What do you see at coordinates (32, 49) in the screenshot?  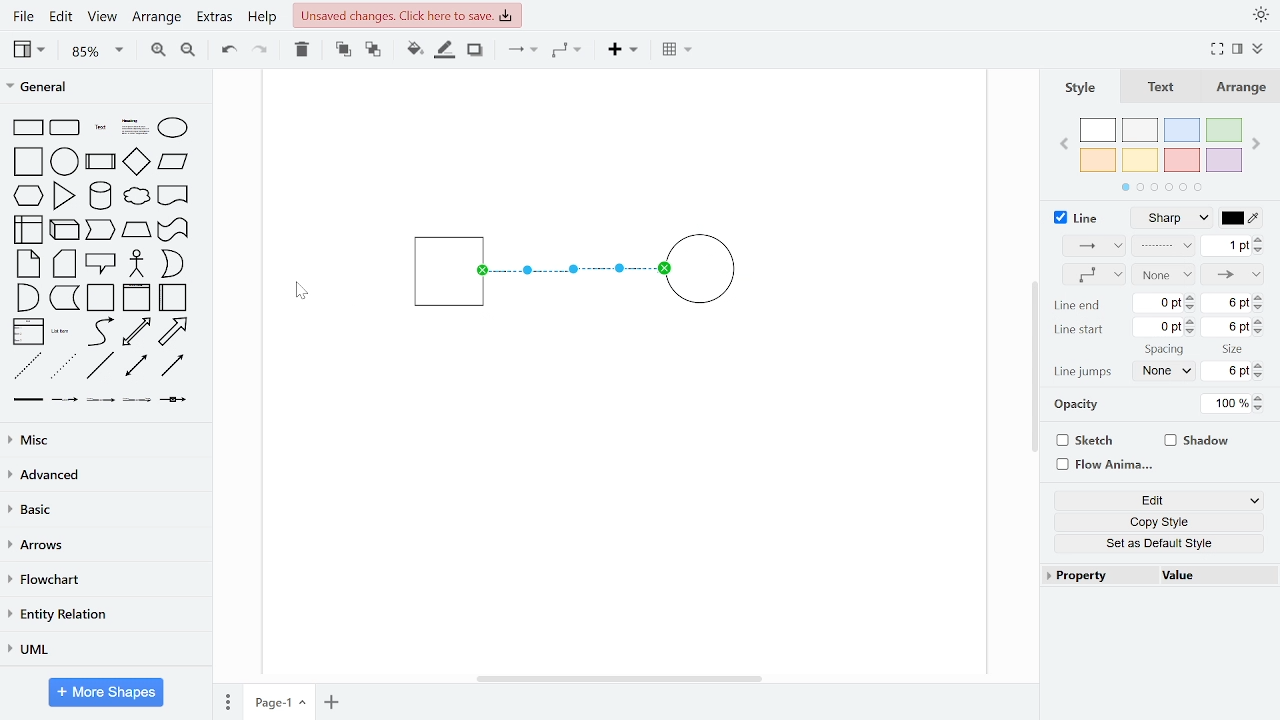 I see `view` at bounding box center [32, 49].